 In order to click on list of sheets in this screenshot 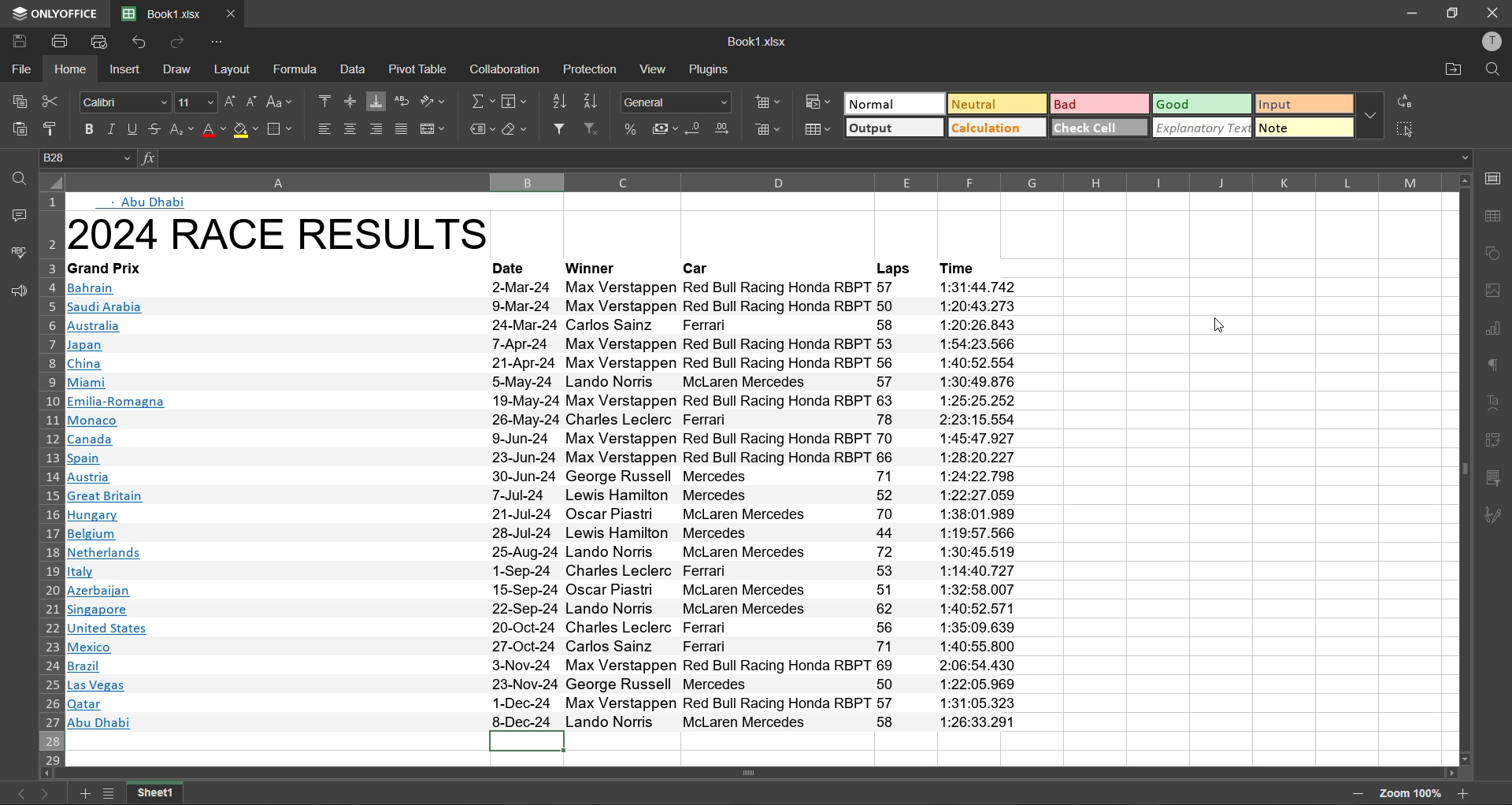, I will do `click(110, 794)`.